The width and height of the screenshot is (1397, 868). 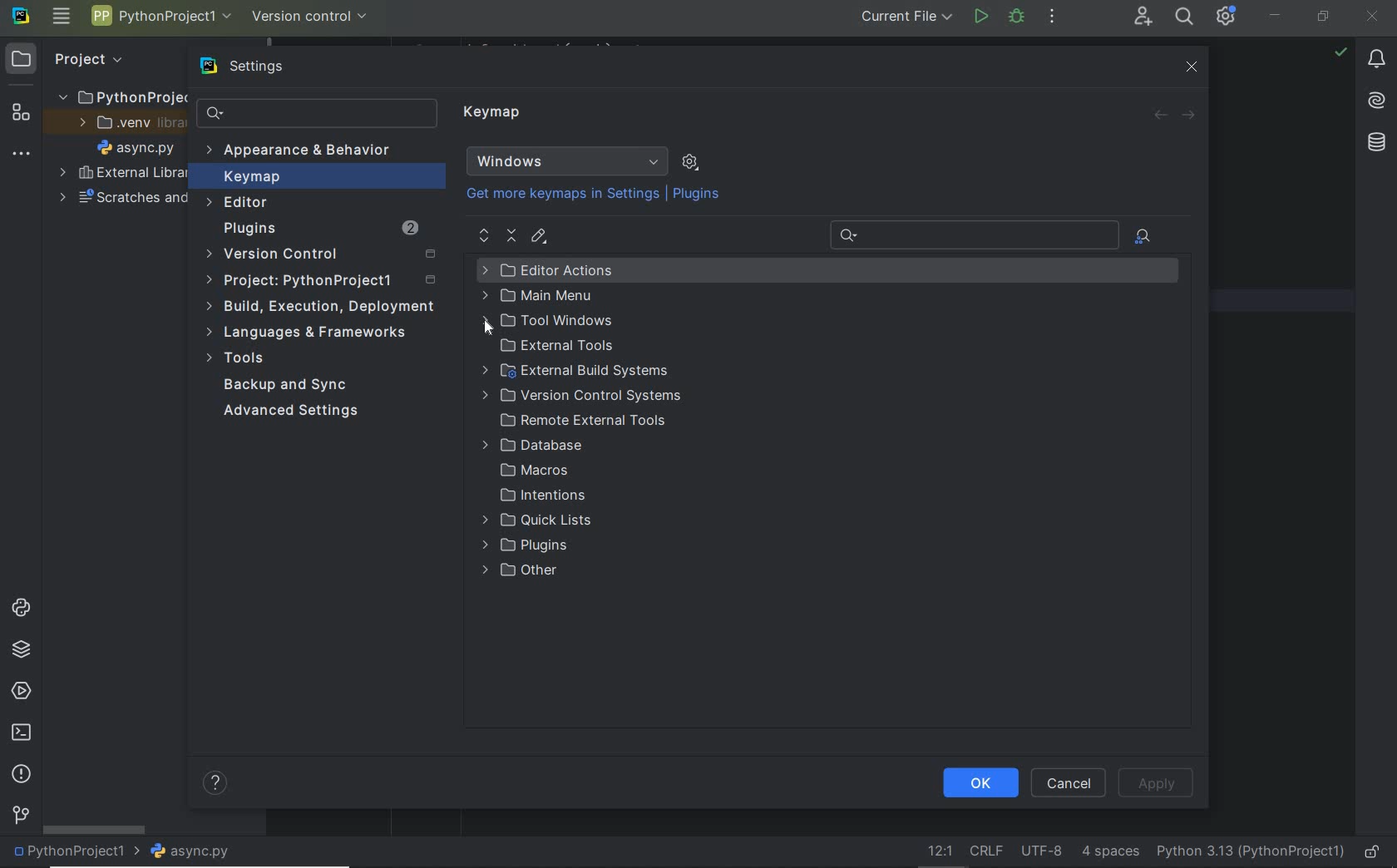 I want to click on notifications, so click(x=1377, y=60).